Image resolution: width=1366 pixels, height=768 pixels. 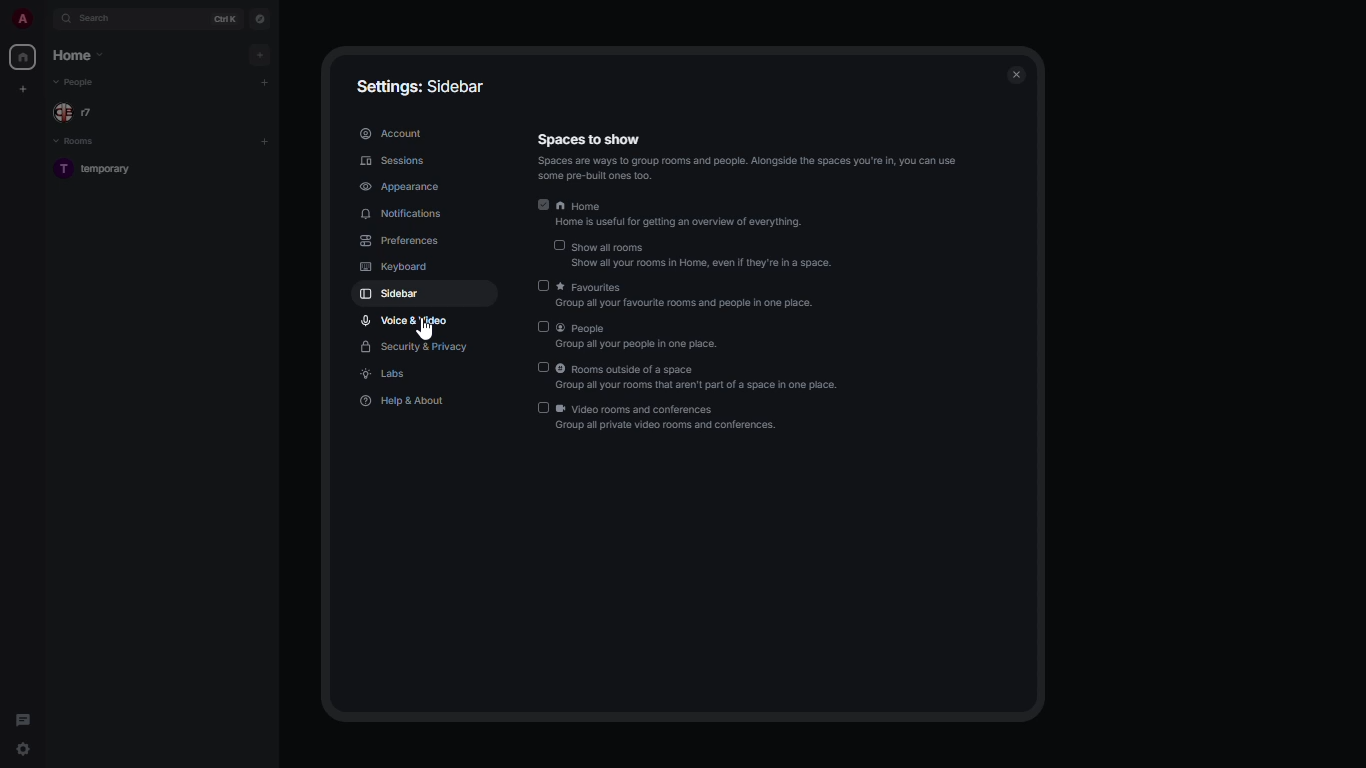 I want to click on home, so click(x=687, y=214).